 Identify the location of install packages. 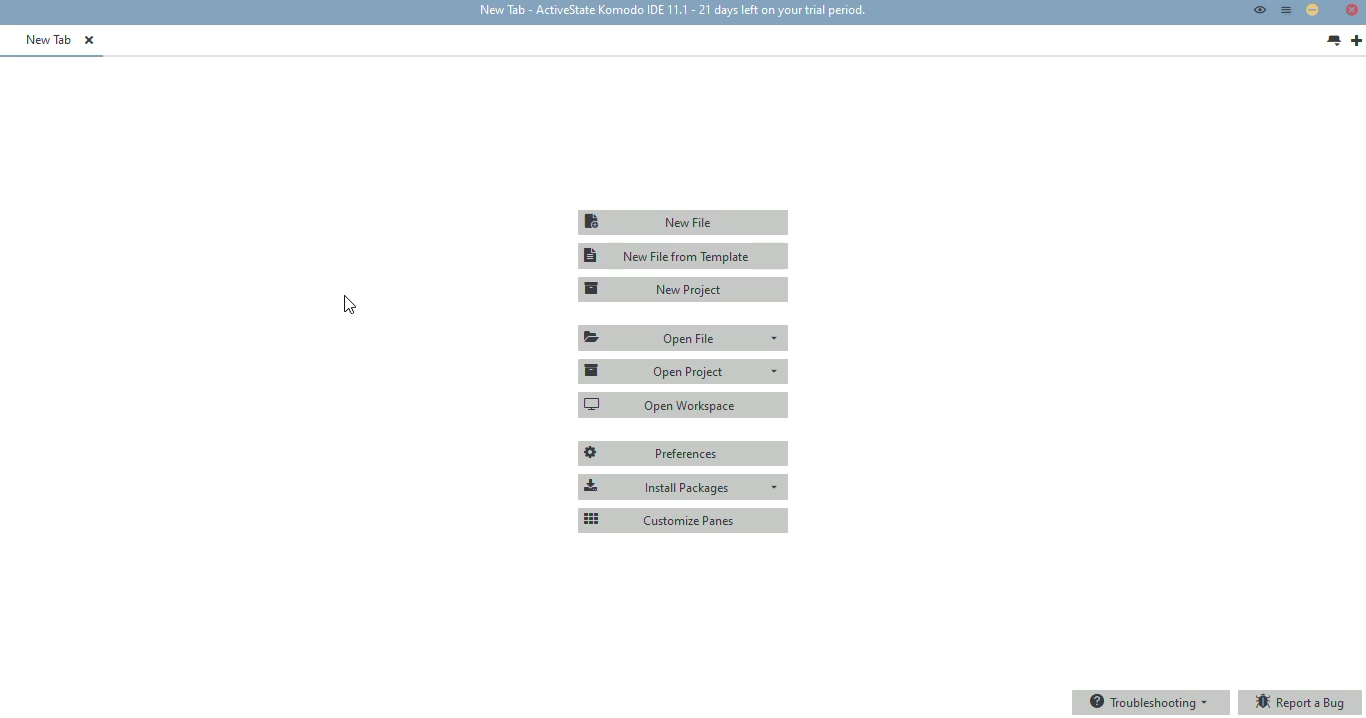
(684, 487).